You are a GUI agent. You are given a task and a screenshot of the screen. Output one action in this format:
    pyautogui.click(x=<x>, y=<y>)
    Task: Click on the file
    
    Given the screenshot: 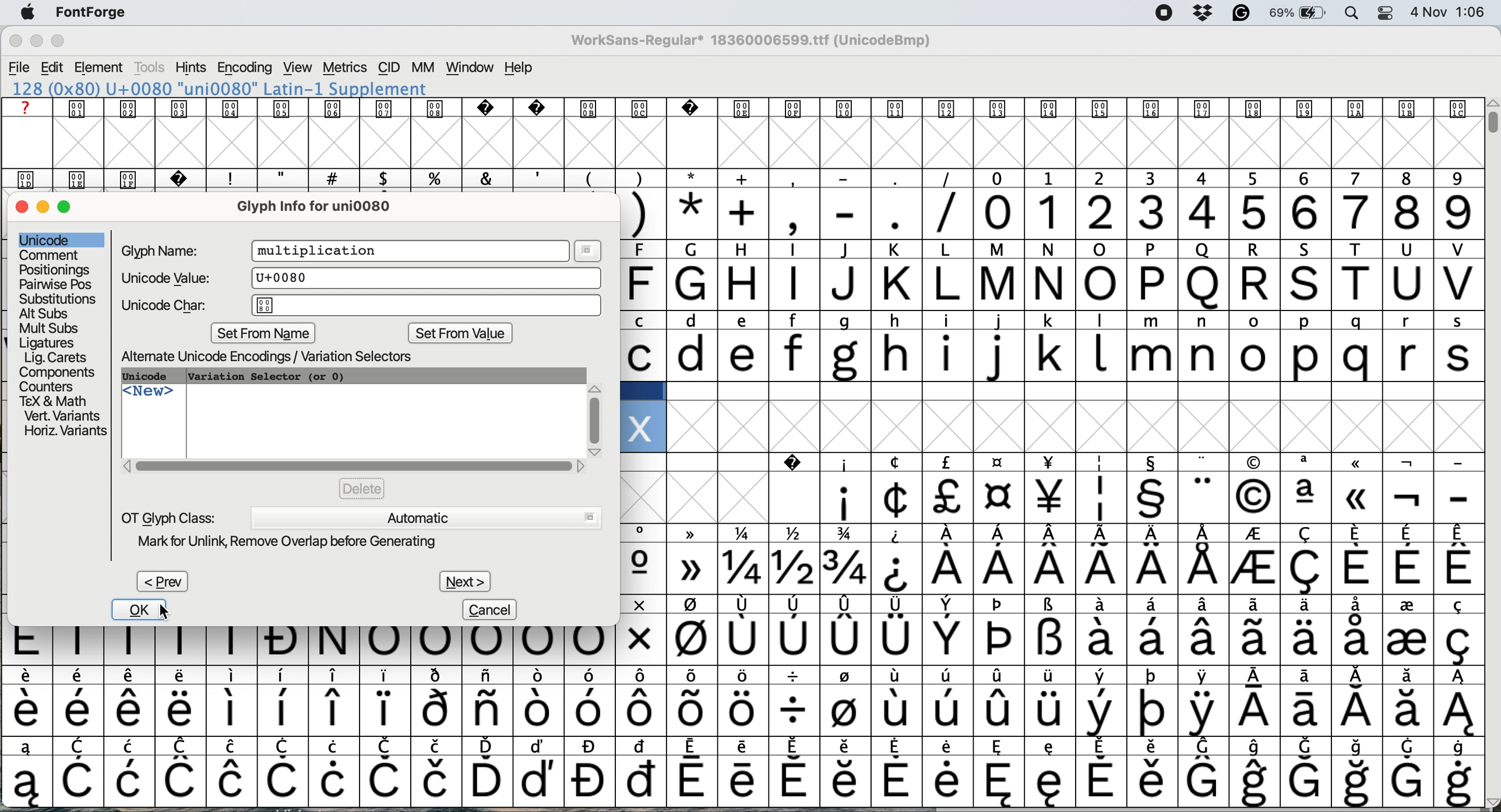 What is the action you would take?
    pyautogui.click(x=19, y=66)
    